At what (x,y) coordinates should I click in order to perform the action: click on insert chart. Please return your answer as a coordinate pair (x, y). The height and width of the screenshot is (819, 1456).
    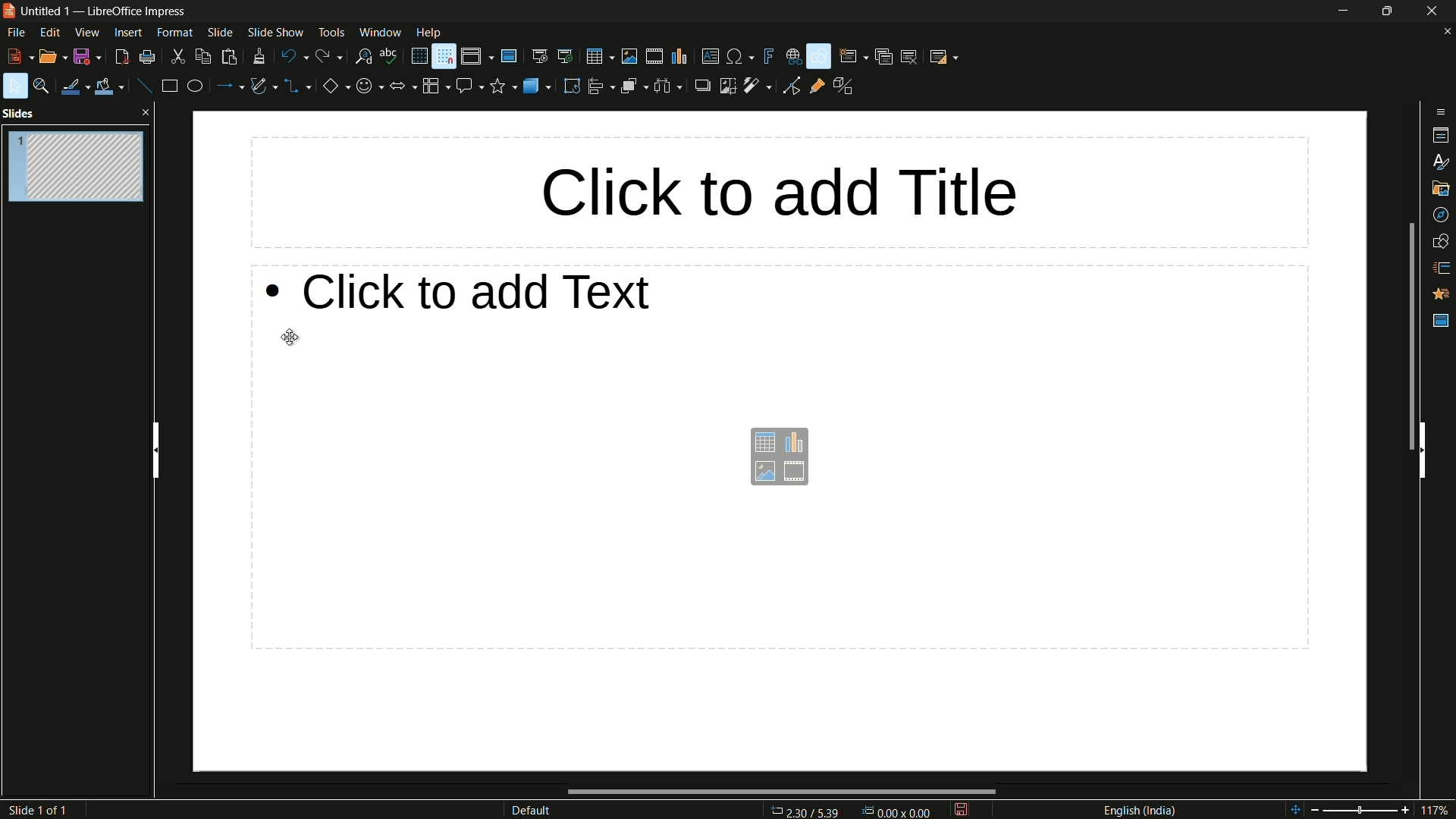
    Looking at the image, I should click on (680, 56).